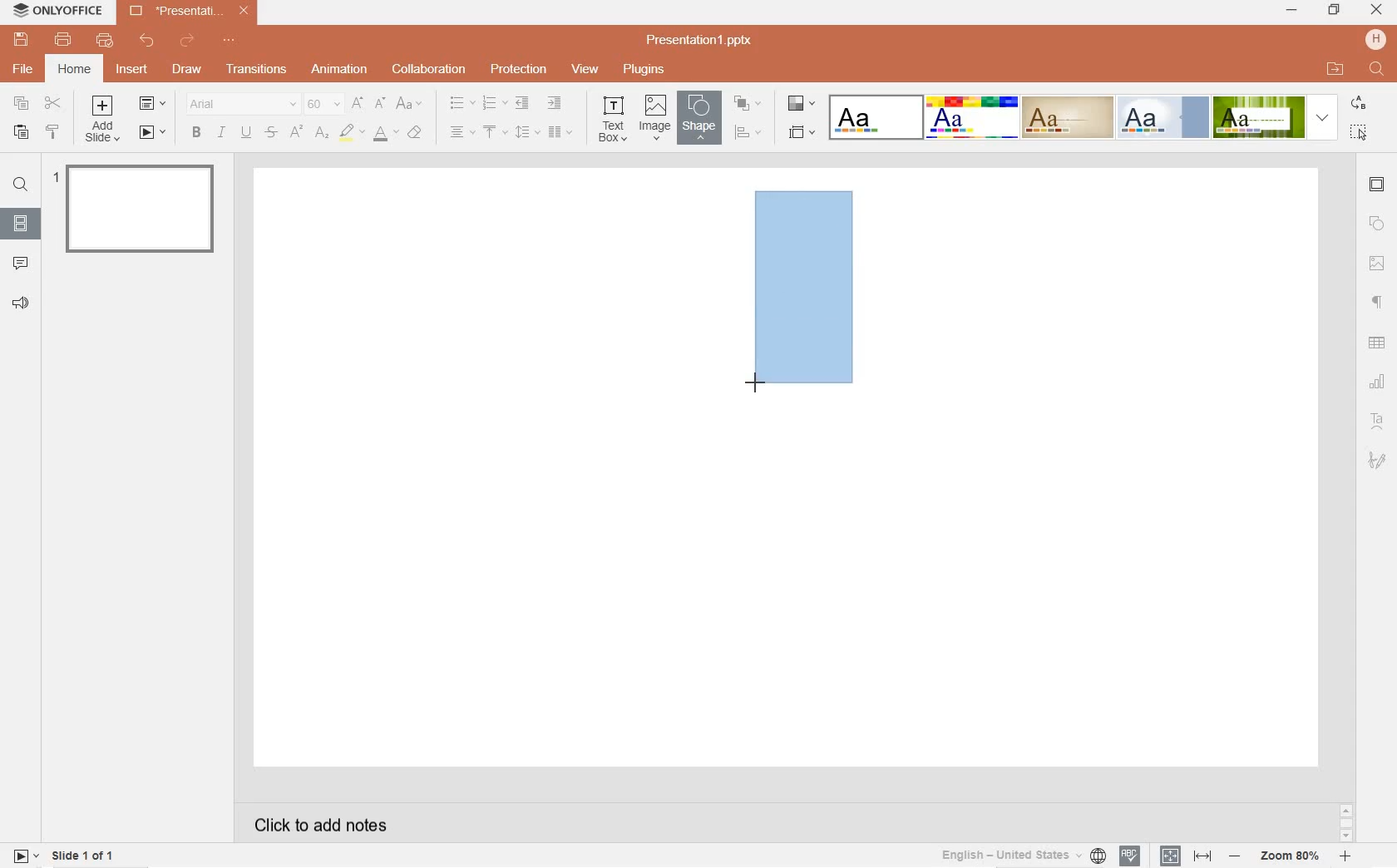 The height and width of the screenshot is (868, 1397). Describe the element at coordinates (1067, 117) in the screenshot. I see `Classic` at that location.